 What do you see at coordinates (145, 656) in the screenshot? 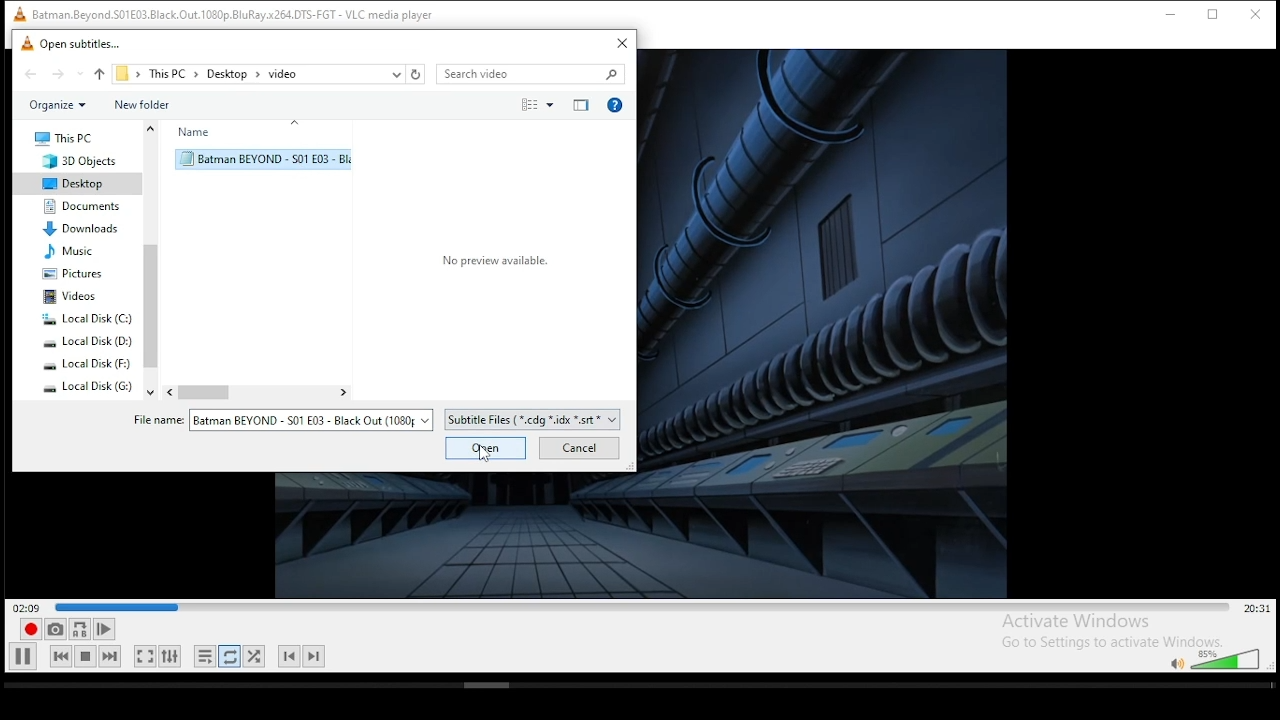
I see `toggle video in fullscreen` at bounding box center [145, 656].